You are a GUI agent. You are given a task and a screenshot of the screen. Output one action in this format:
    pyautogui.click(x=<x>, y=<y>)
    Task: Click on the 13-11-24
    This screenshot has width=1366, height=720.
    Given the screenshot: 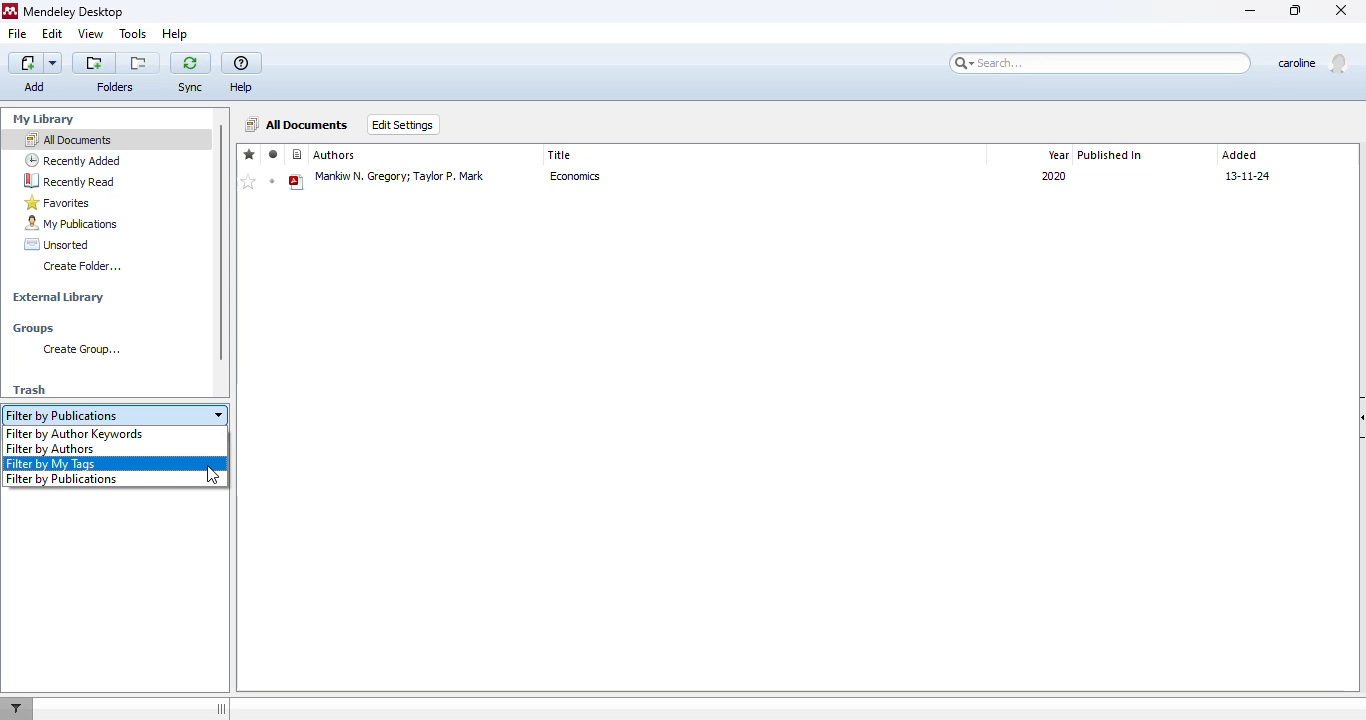 What is the action you would take?
    pyautogui.click(x=1254, y=175)
    